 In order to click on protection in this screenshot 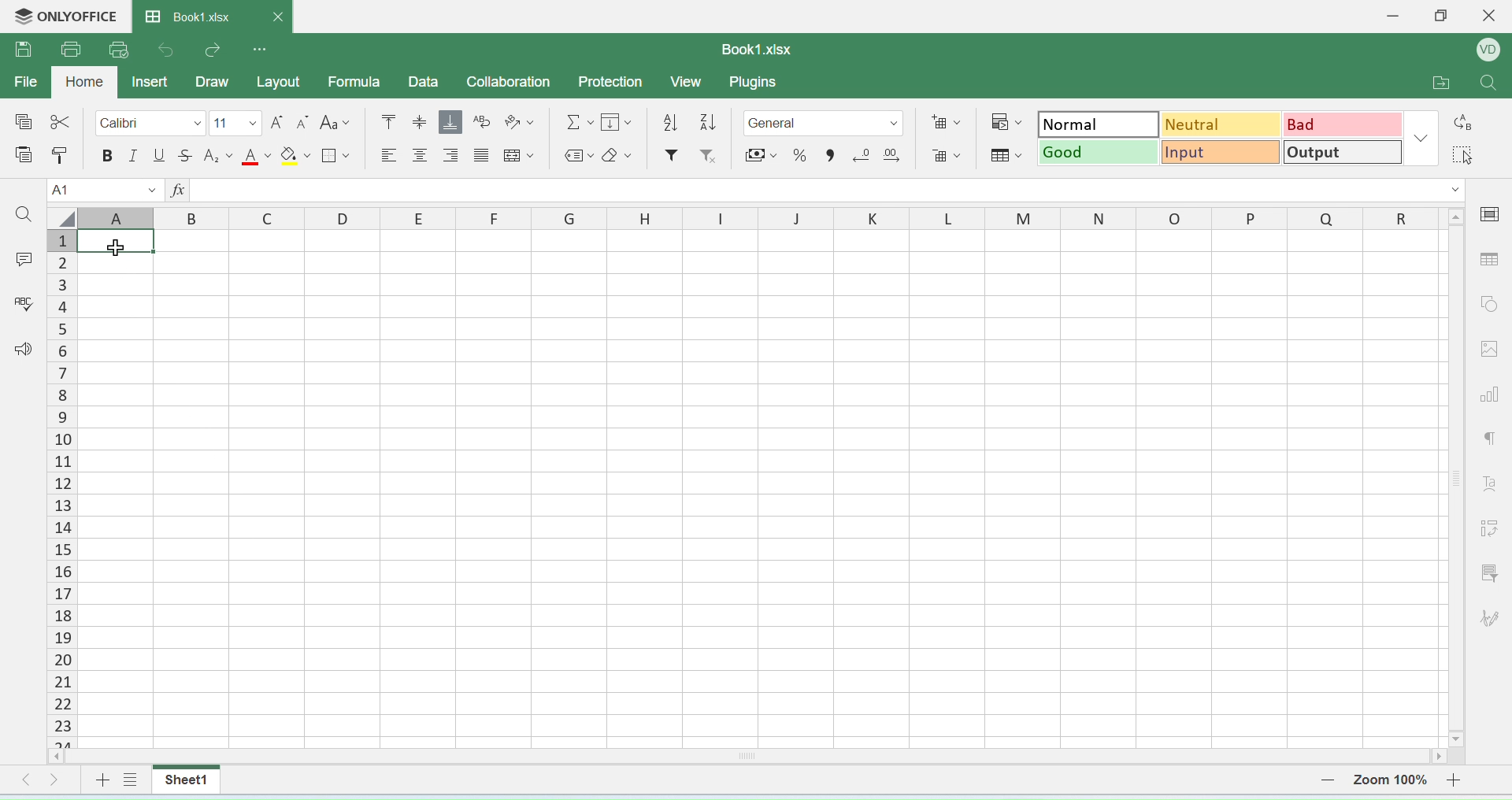, I will do `click(608, 82)`.